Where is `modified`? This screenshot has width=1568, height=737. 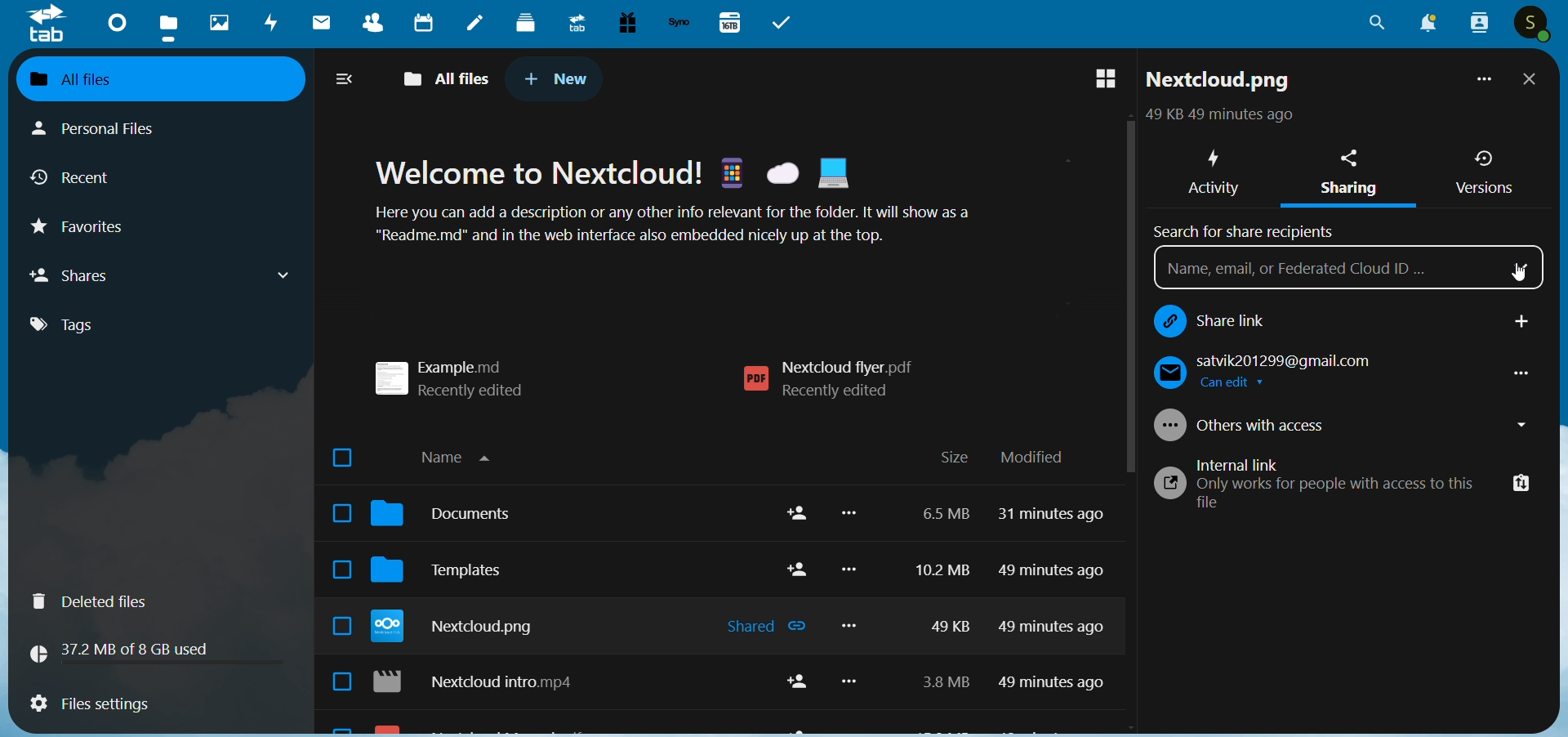 modified is located at coordinates (1032, 458).